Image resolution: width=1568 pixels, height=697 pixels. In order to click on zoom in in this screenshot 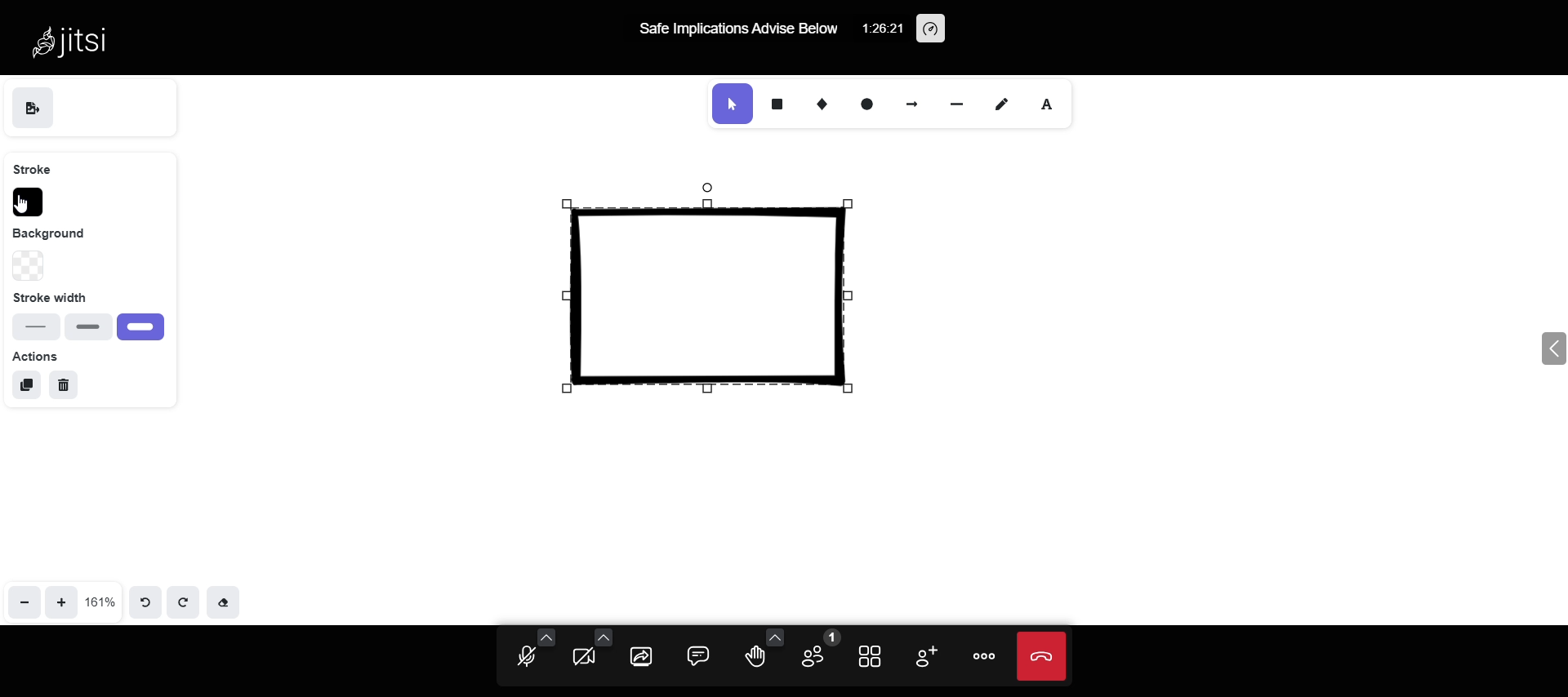, I will do `click(59, 602)`.